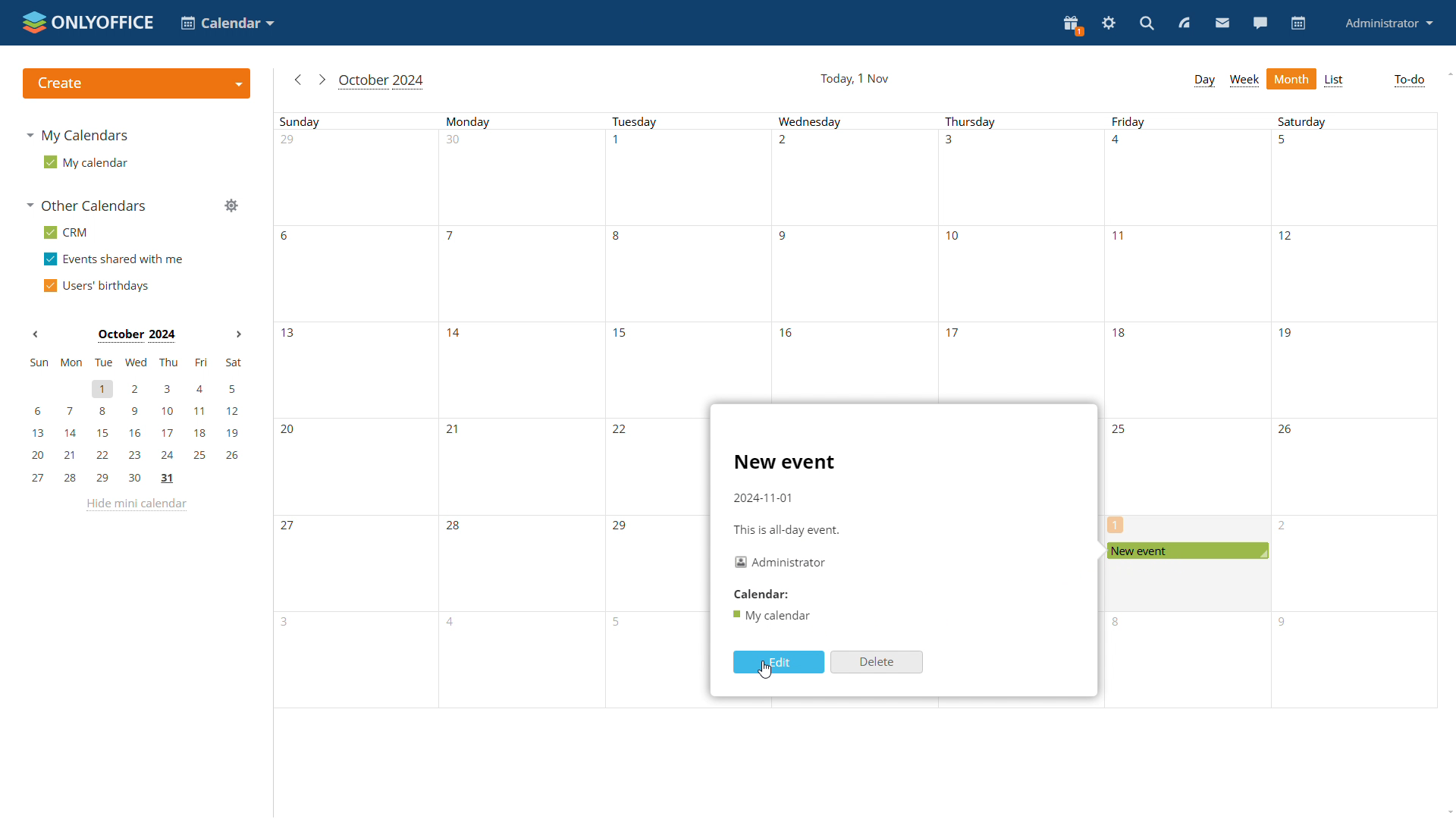 The width and height of the screenshot is (1456, 819). I want to click on edit, so click(779, 661).